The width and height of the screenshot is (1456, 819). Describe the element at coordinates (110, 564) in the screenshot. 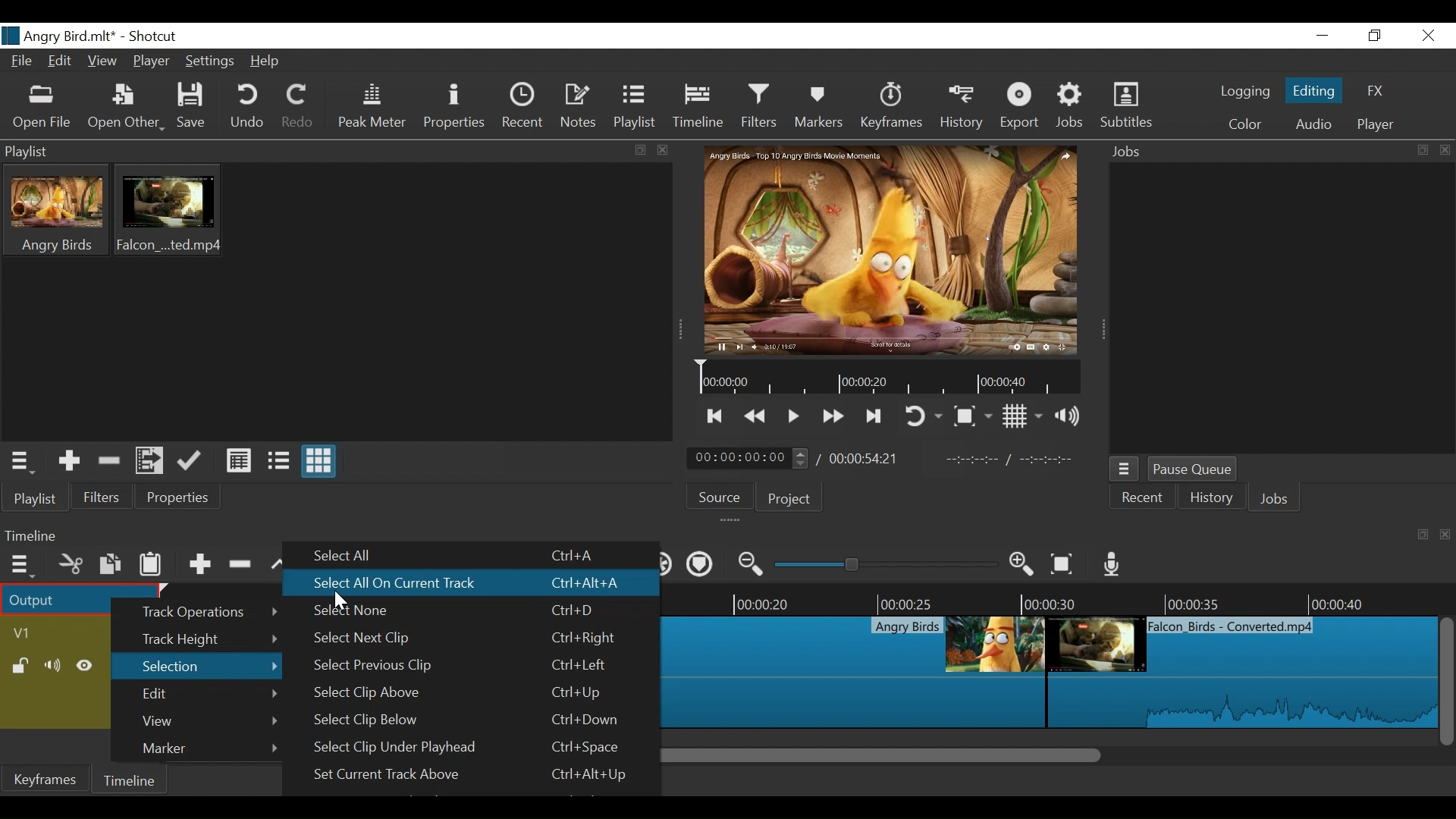

I see `Copy` at that location.